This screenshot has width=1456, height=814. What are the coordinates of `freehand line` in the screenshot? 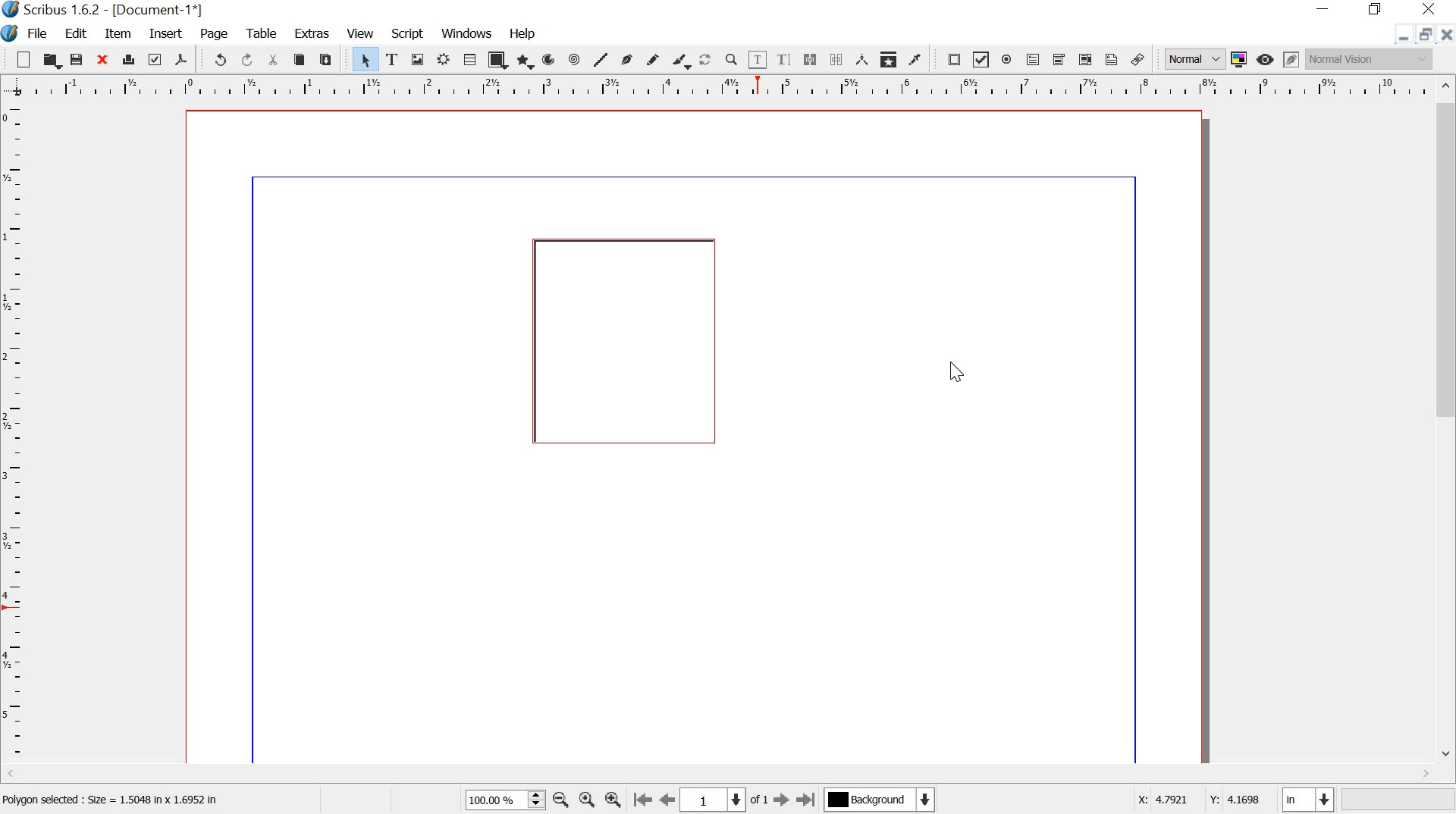 It's located at (656, 61).